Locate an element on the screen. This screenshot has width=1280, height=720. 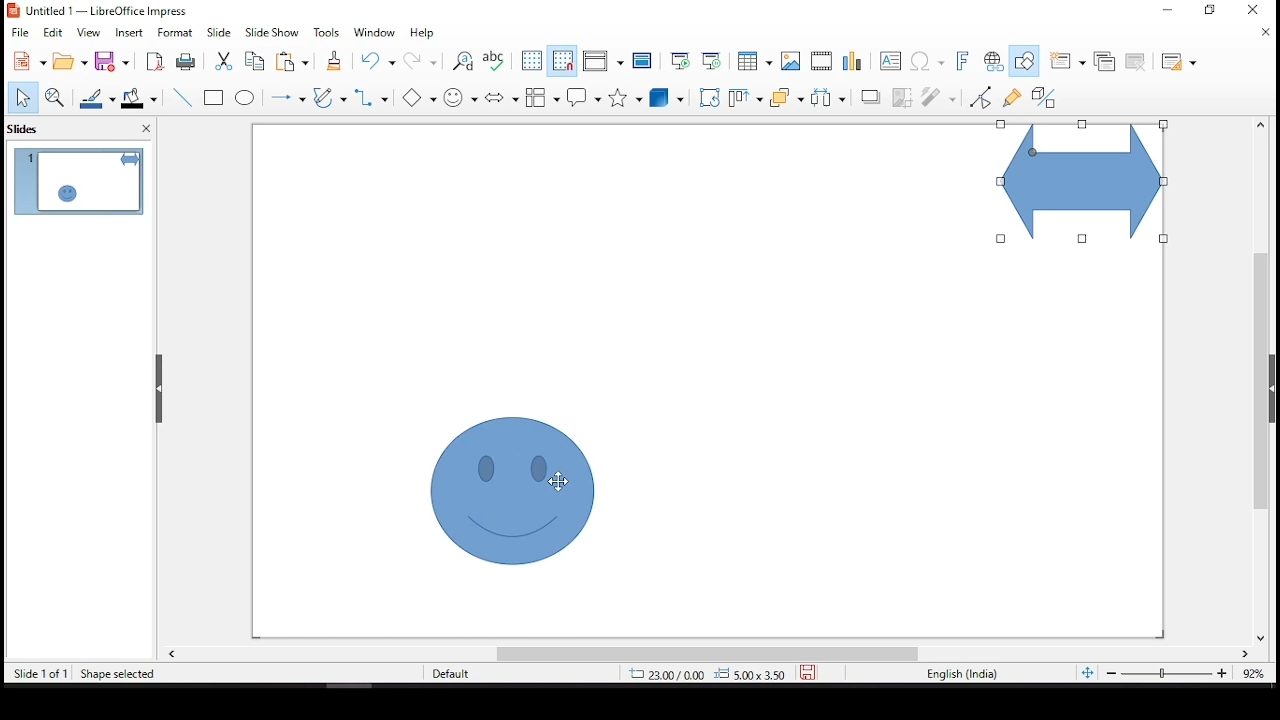
paste is located at coordinates (296, 61).